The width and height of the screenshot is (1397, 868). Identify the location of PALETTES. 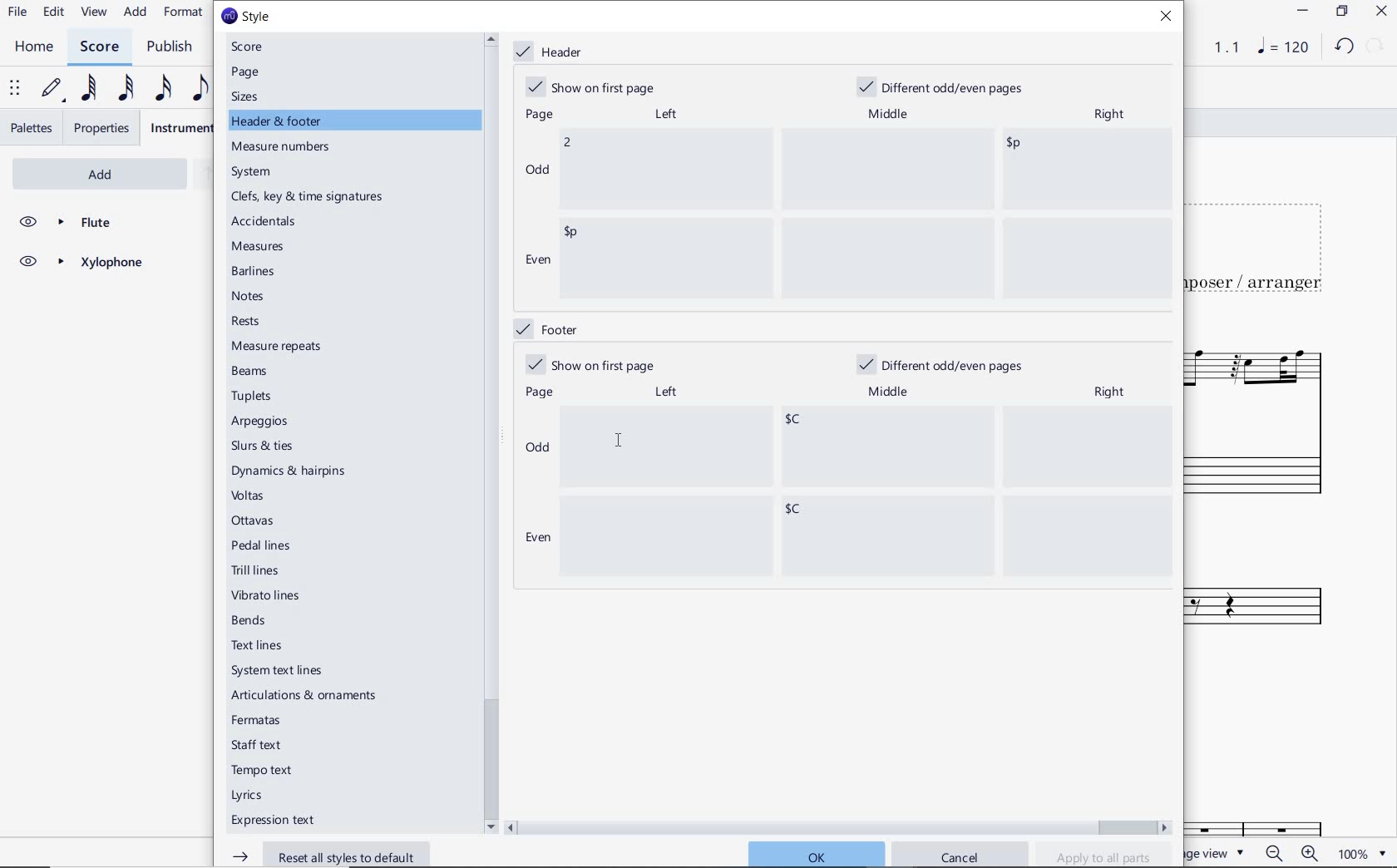
(30, 128).